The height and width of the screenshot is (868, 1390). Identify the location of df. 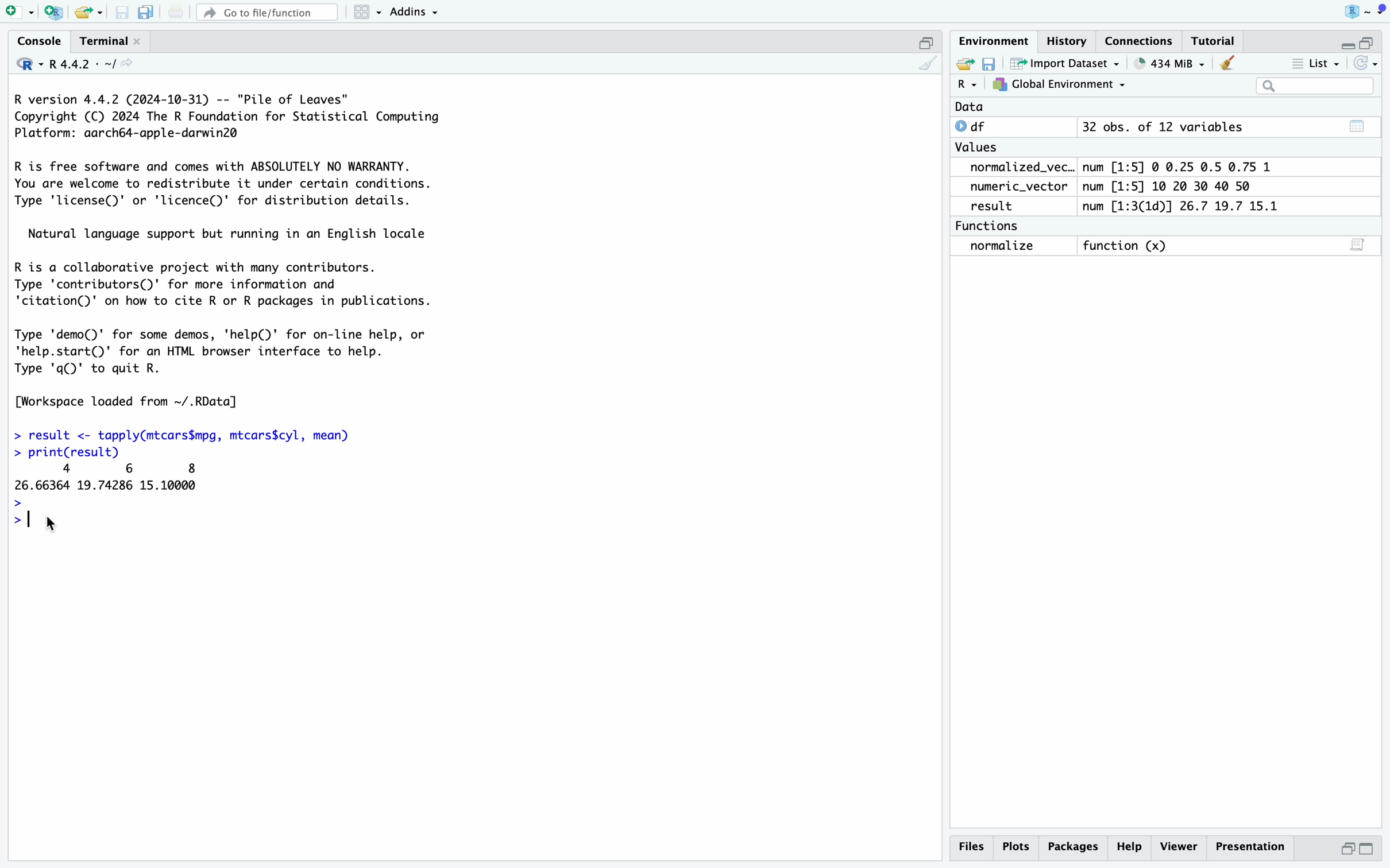
(979, 127).